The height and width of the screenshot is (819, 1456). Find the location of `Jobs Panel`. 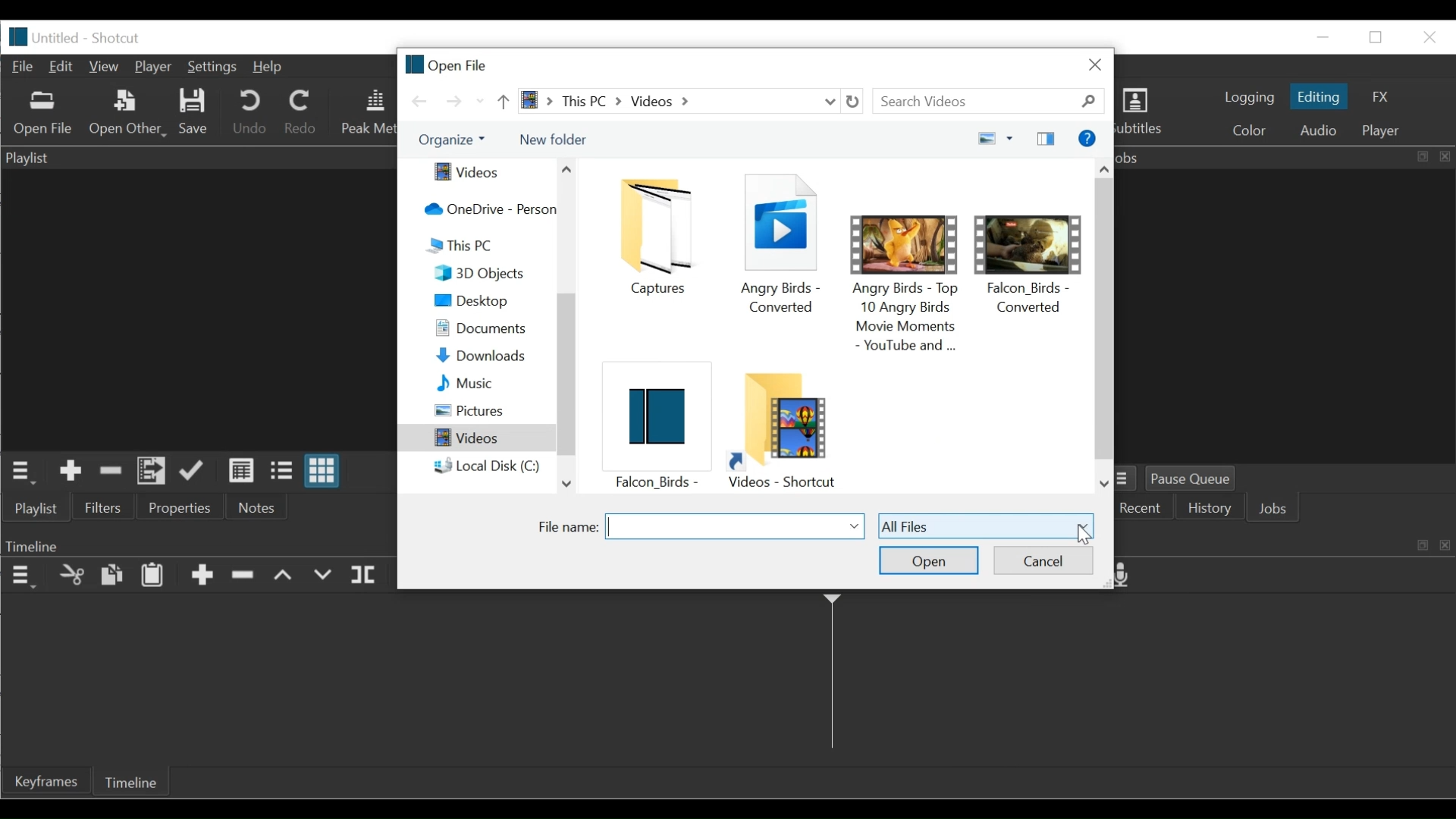

Jobs Panel is located at coordinates (1289, 316).